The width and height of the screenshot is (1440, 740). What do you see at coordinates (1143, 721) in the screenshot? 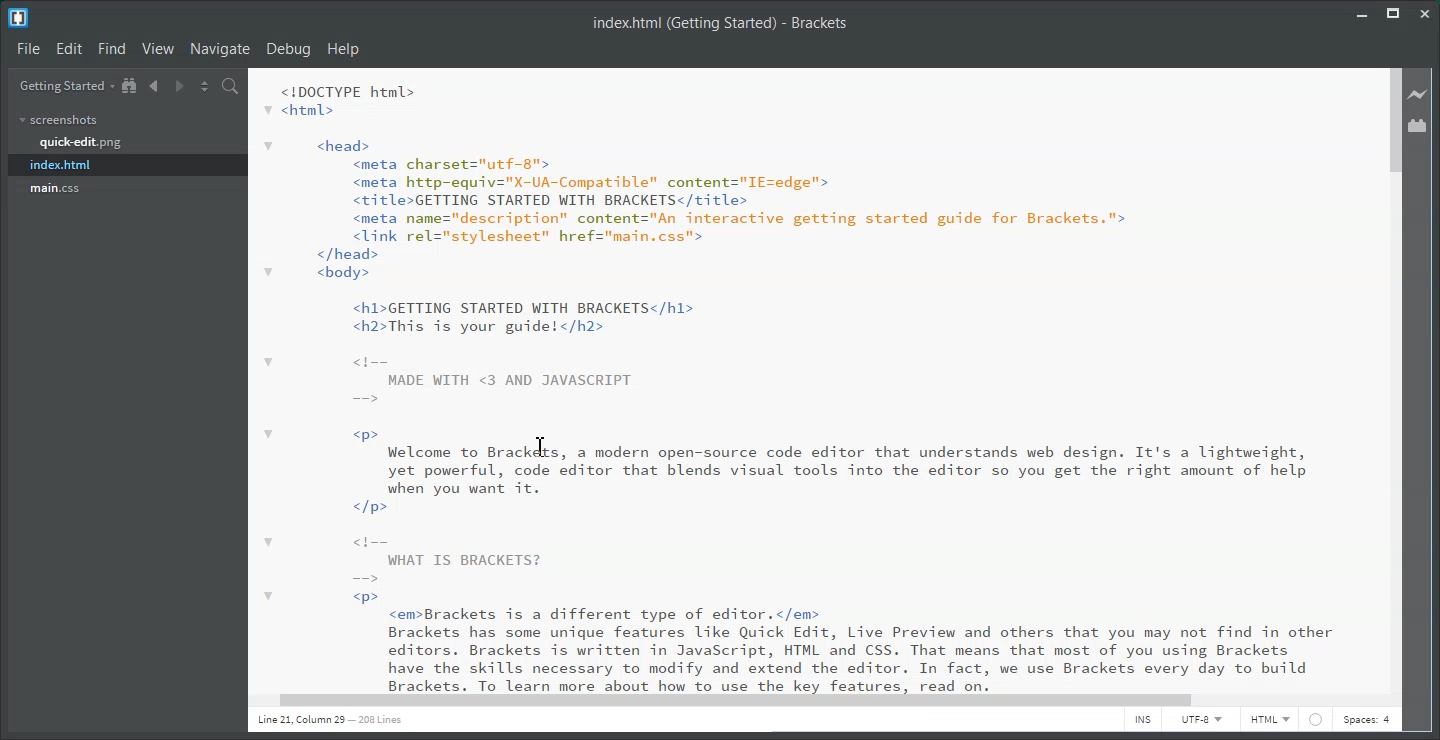
I see `INS` at bounding box center [1143, 721].